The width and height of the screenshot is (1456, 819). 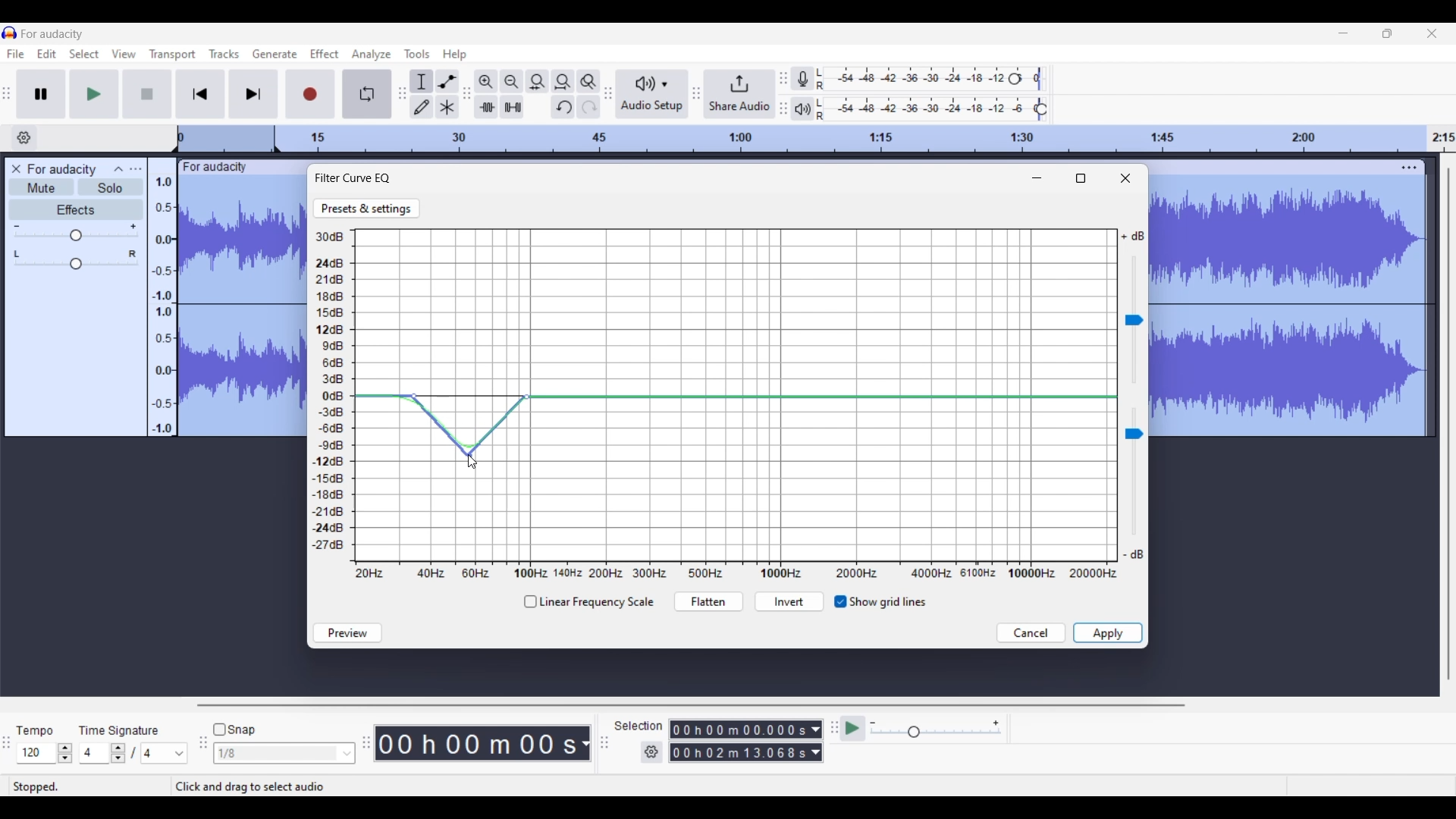 What do you see at coordinates (736, 573) in the screenshot?
I see `X axis representing Hertz` at bounding box center [736, 573].